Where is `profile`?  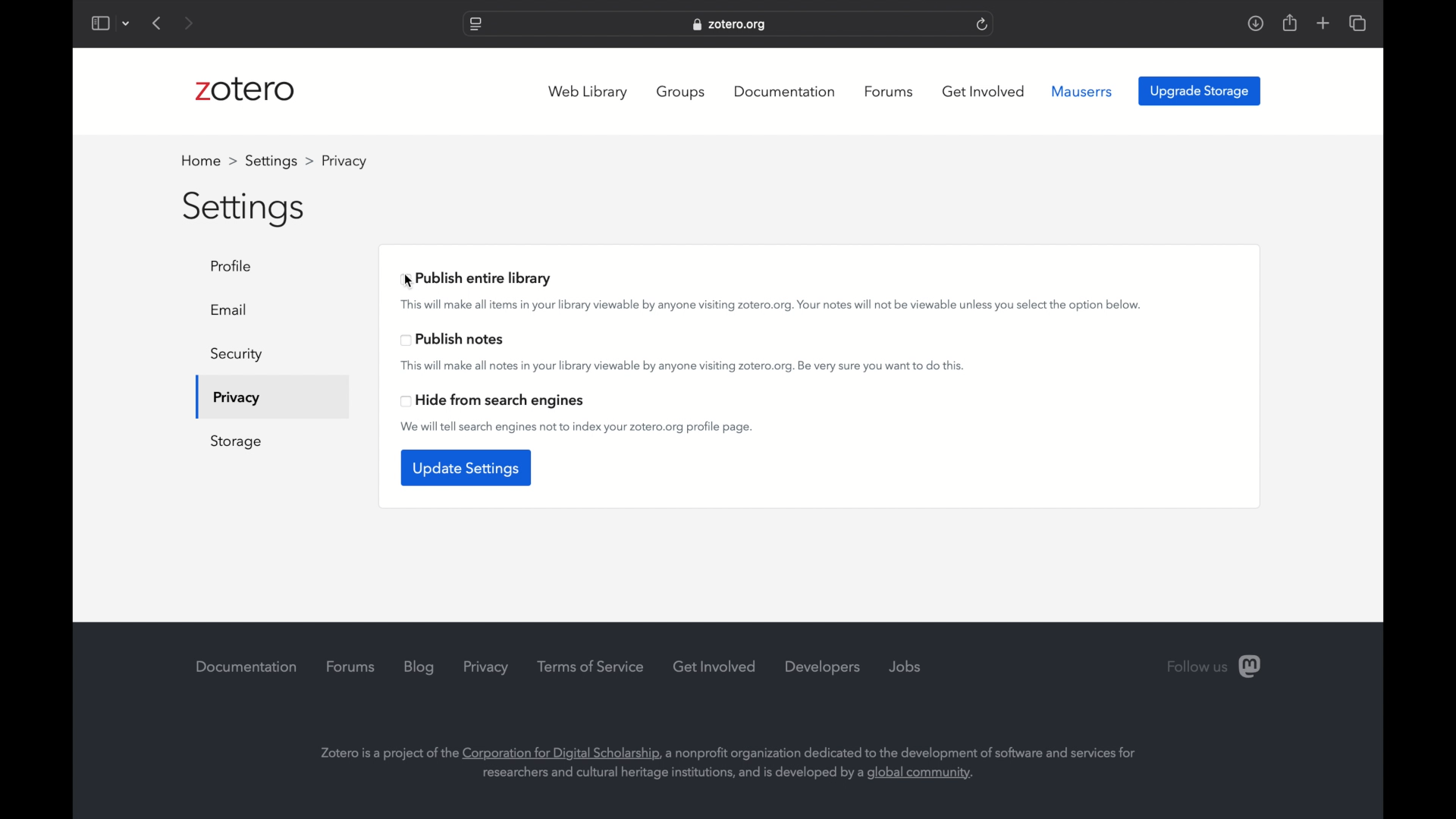 profile is located at coordinates (342, 160).